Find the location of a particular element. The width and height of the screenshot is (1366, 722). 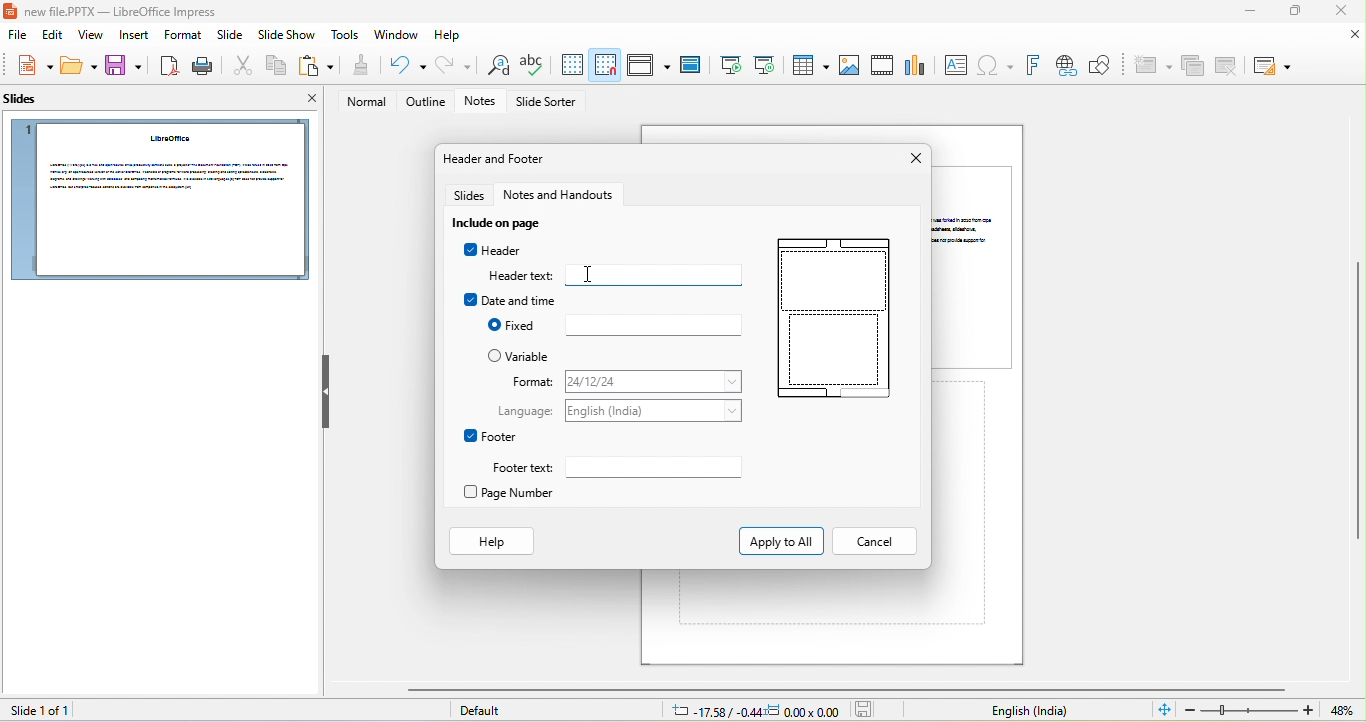

start from first slide is located at coordinates (729, 65).